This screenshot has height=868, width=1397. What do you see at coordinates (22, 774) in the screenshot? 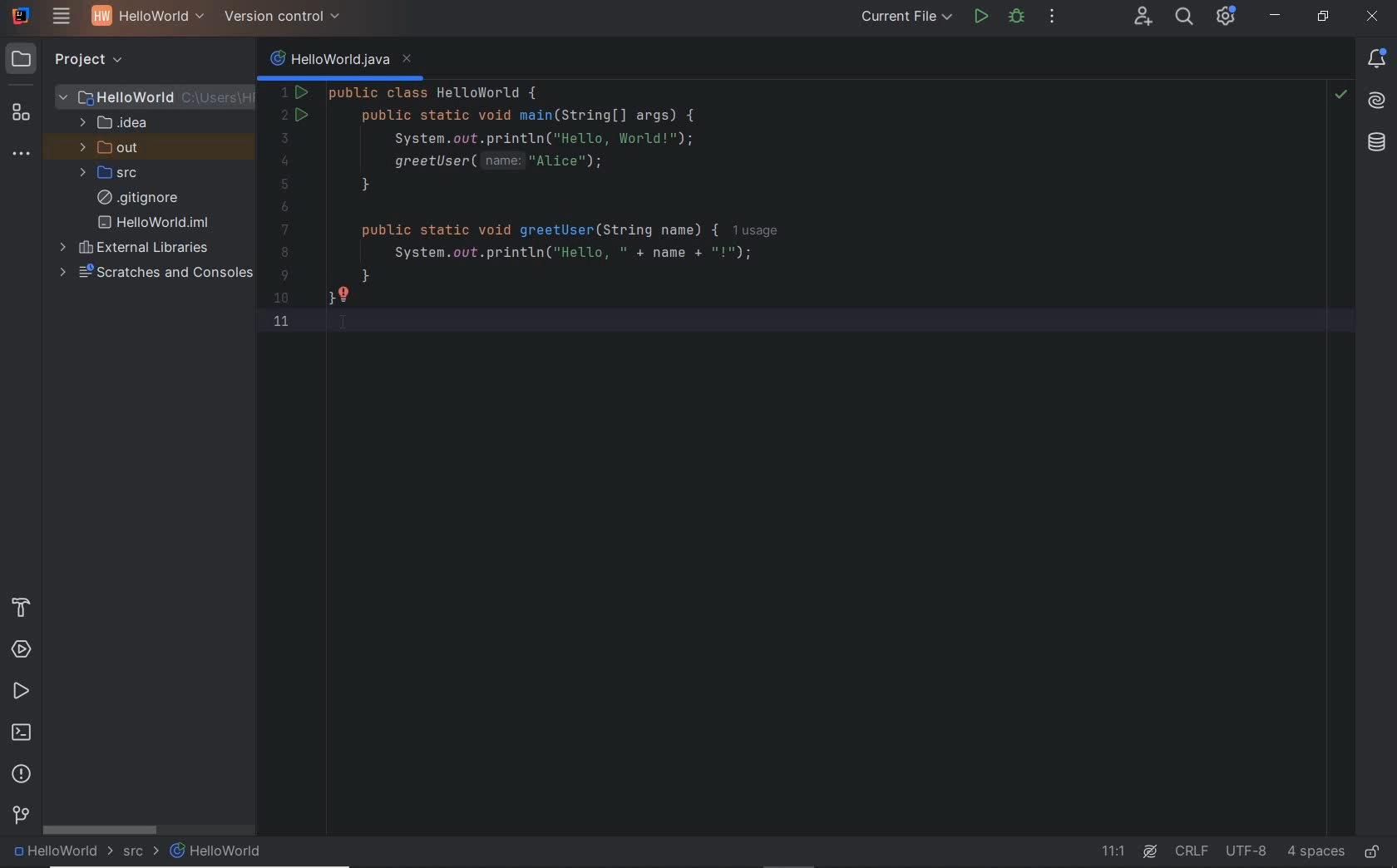
I see `problems` at bounding box center [22, 774].